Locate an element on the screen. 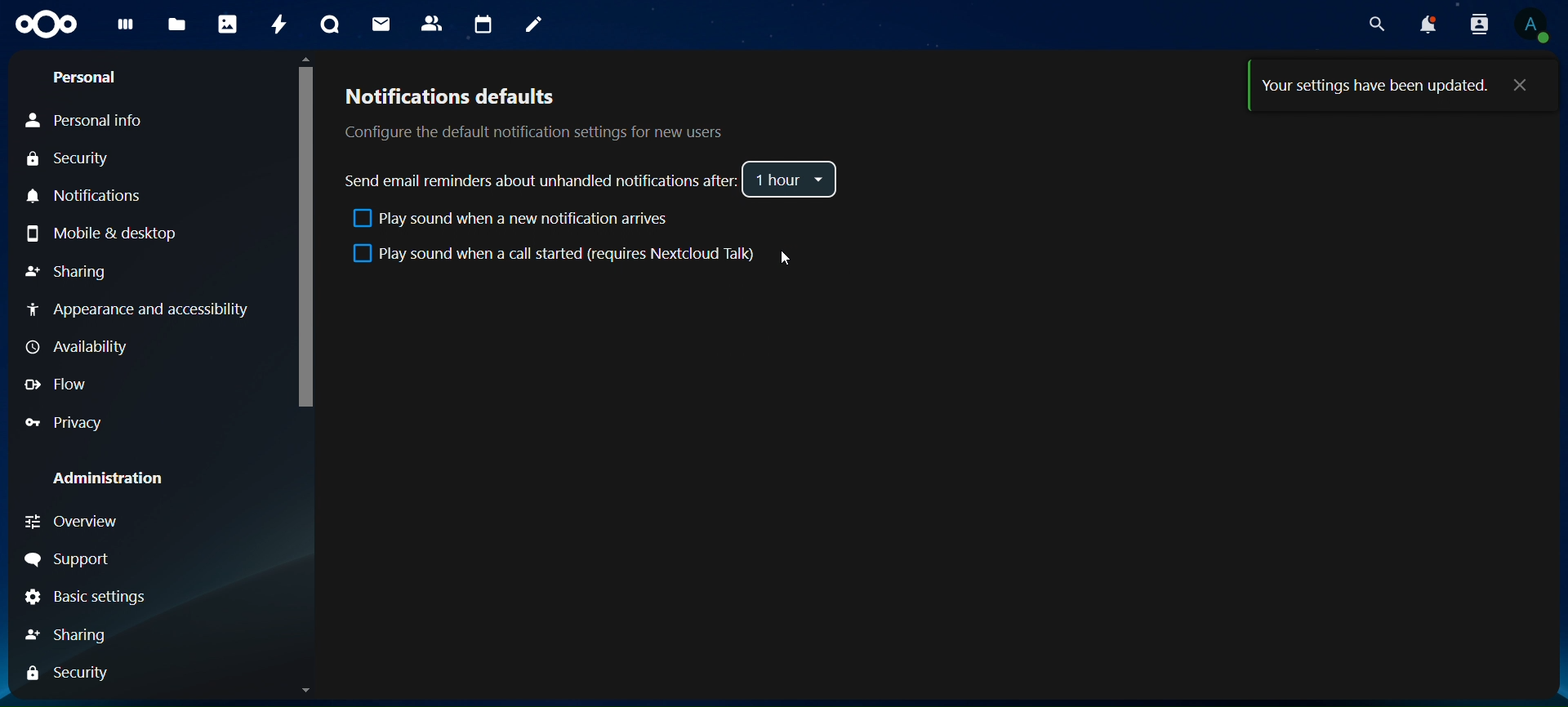 The image size is (1568, 707). talk is located at coordinates (332, 25).